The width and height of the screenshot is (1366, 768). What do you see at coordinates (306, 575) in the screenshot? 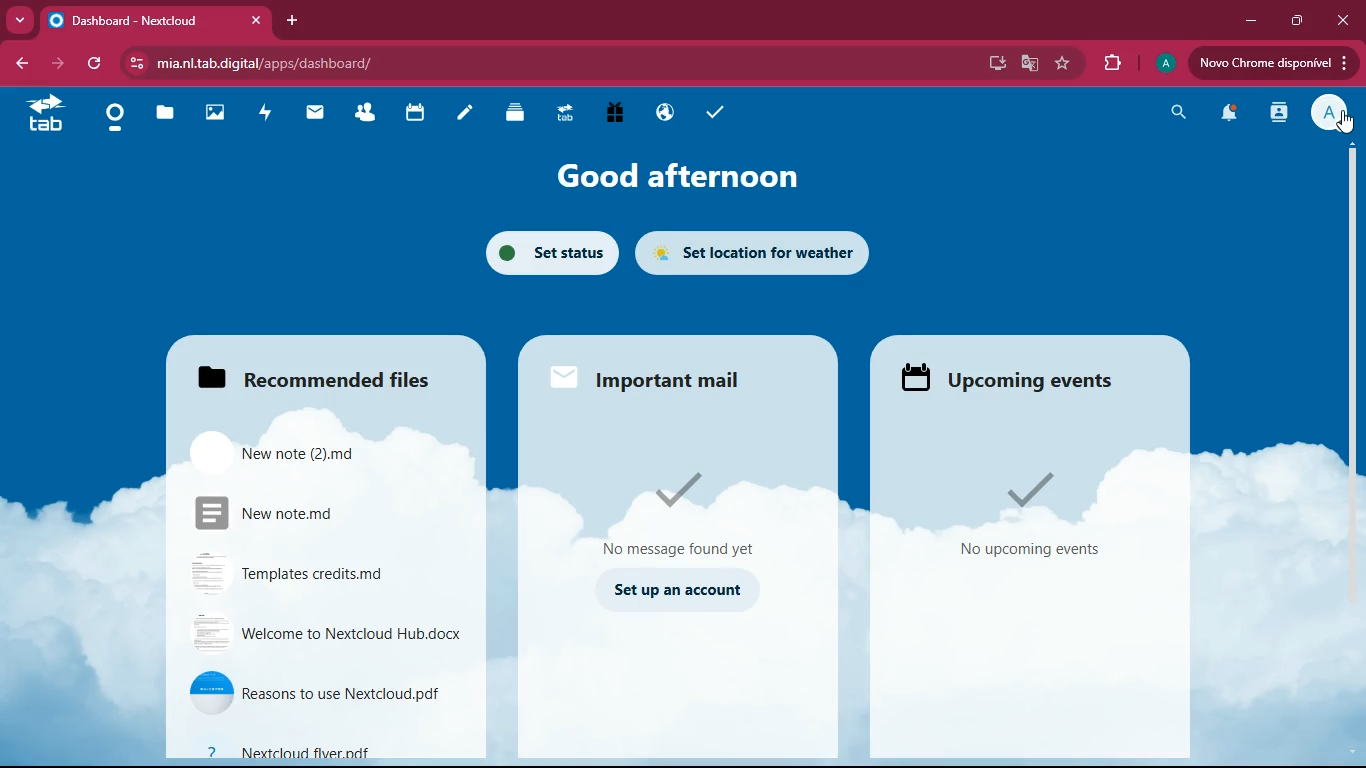
I see `file` at bounding box center [306, 575].